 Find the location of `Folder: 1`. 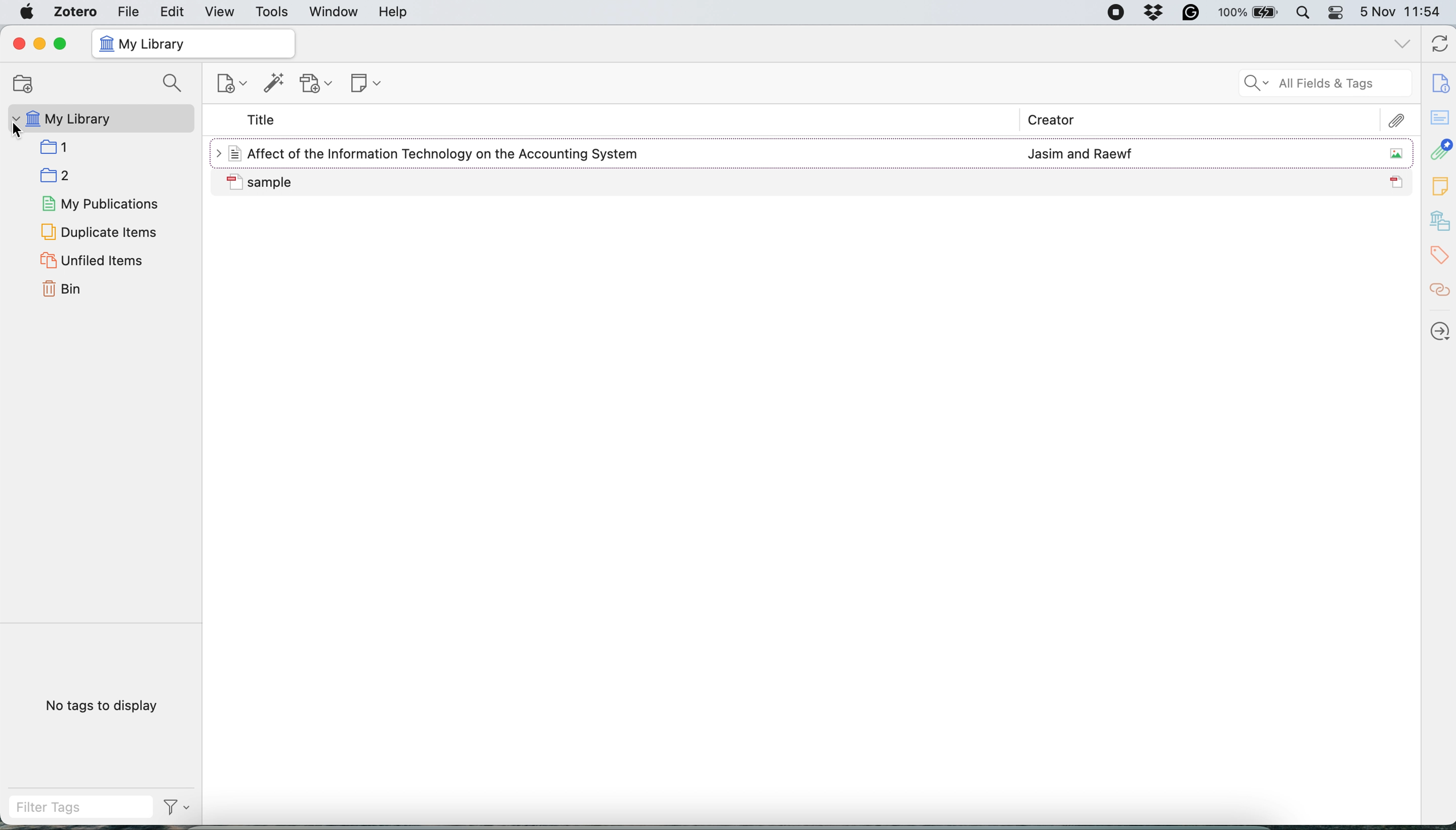

Folder: 1 is located at coordinates (58, 149).